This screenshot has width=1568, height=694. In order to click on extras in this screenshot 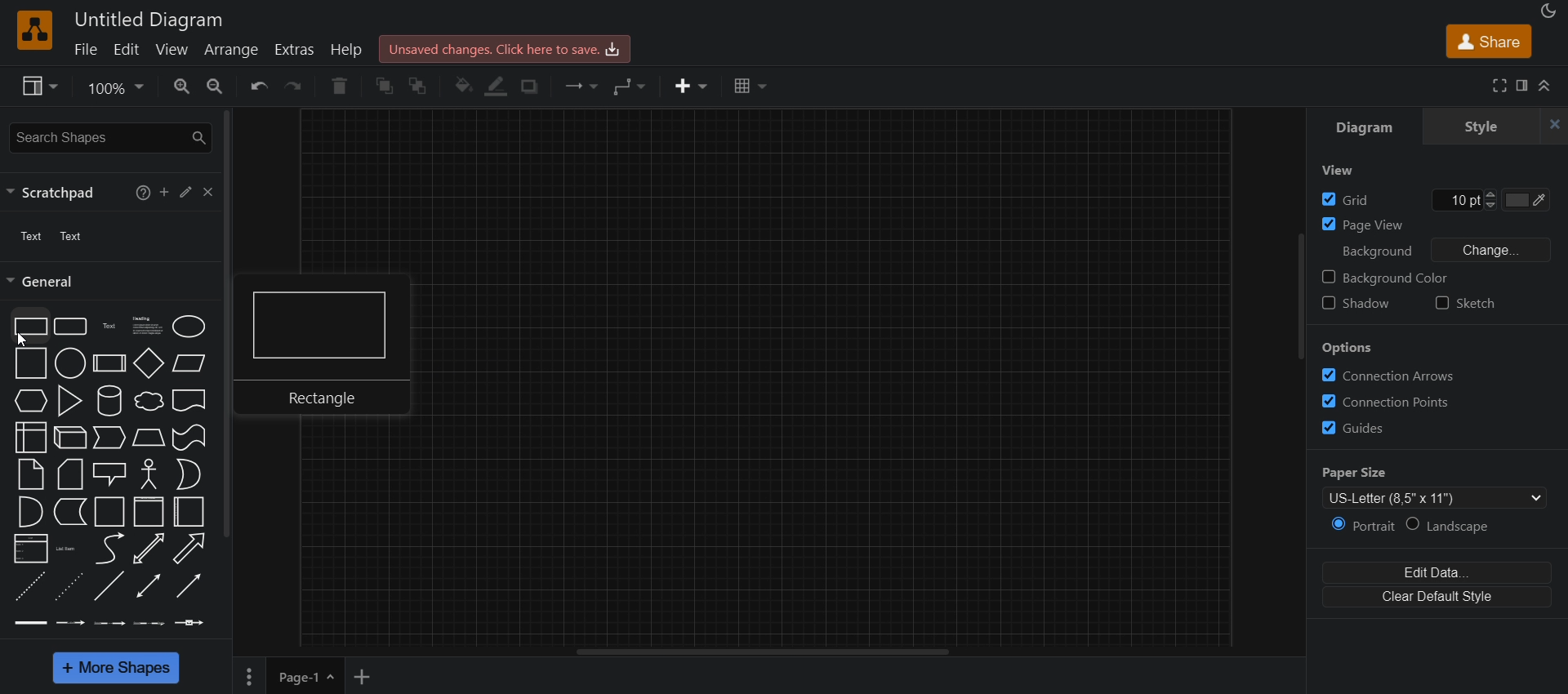, I will do `click(295, 51)`.